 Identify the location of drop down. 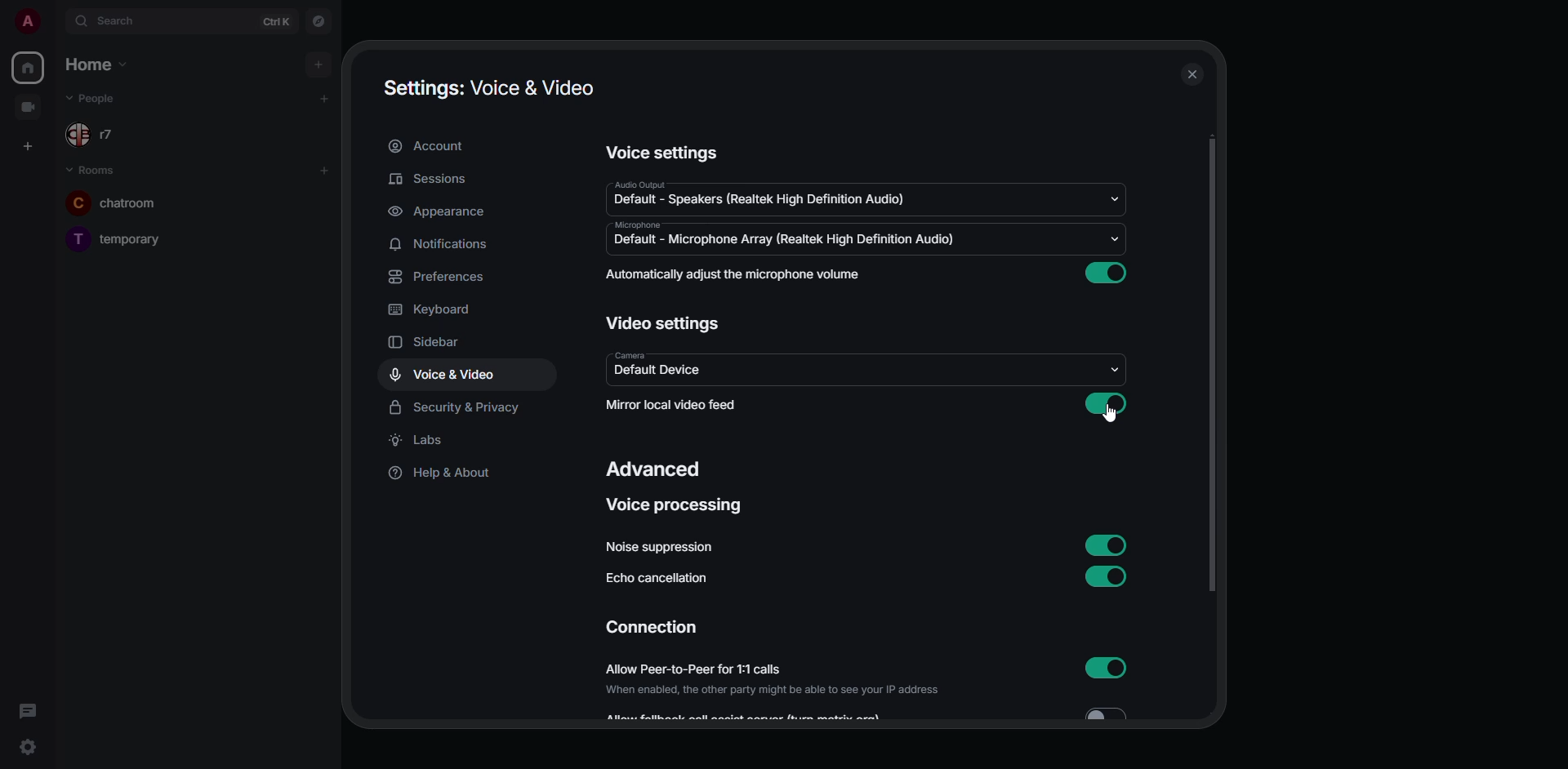
(1118, 366).